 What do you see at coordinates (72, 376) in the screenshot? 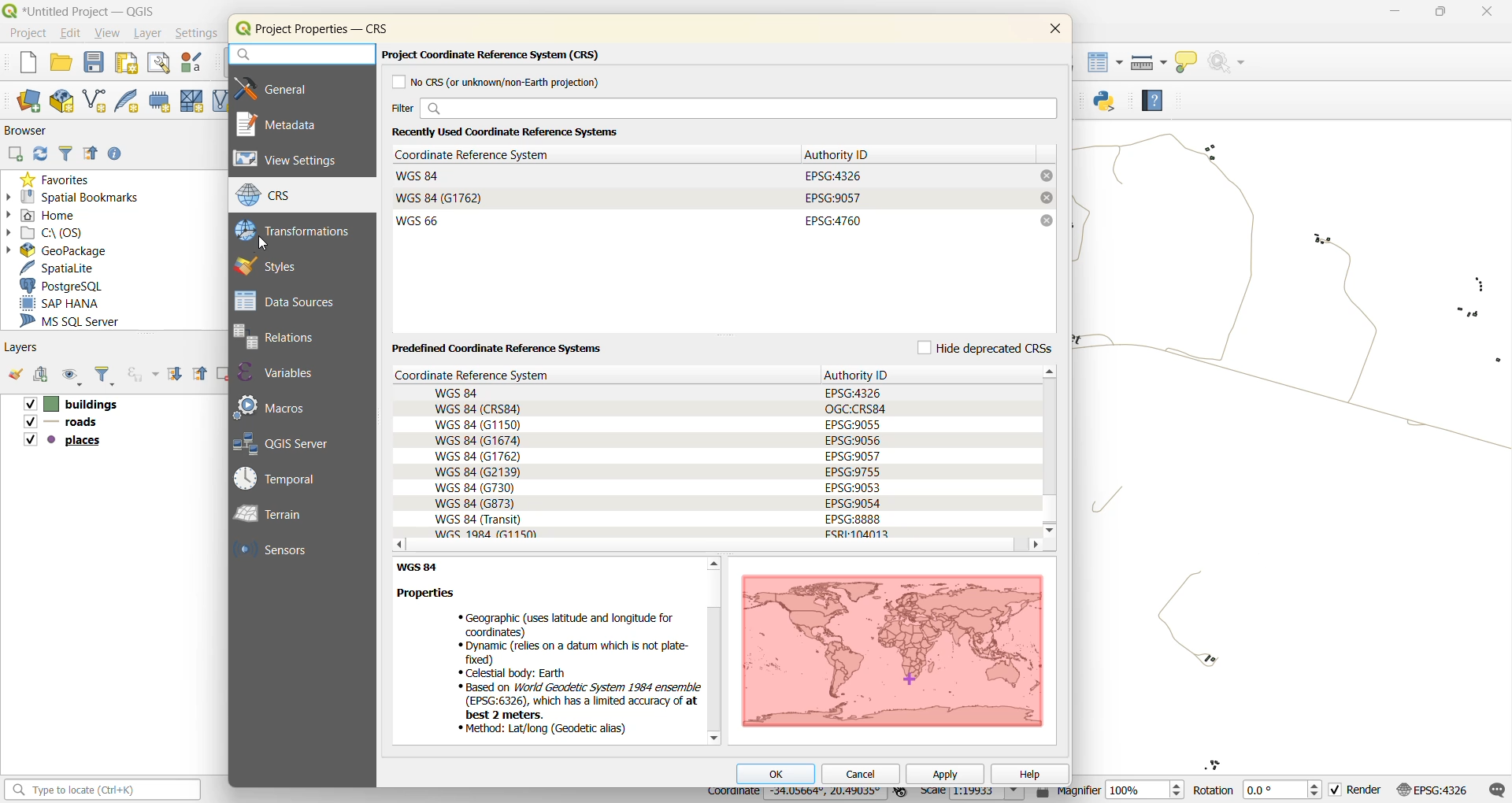
I see `manage map` at bounding box center [72, 376].